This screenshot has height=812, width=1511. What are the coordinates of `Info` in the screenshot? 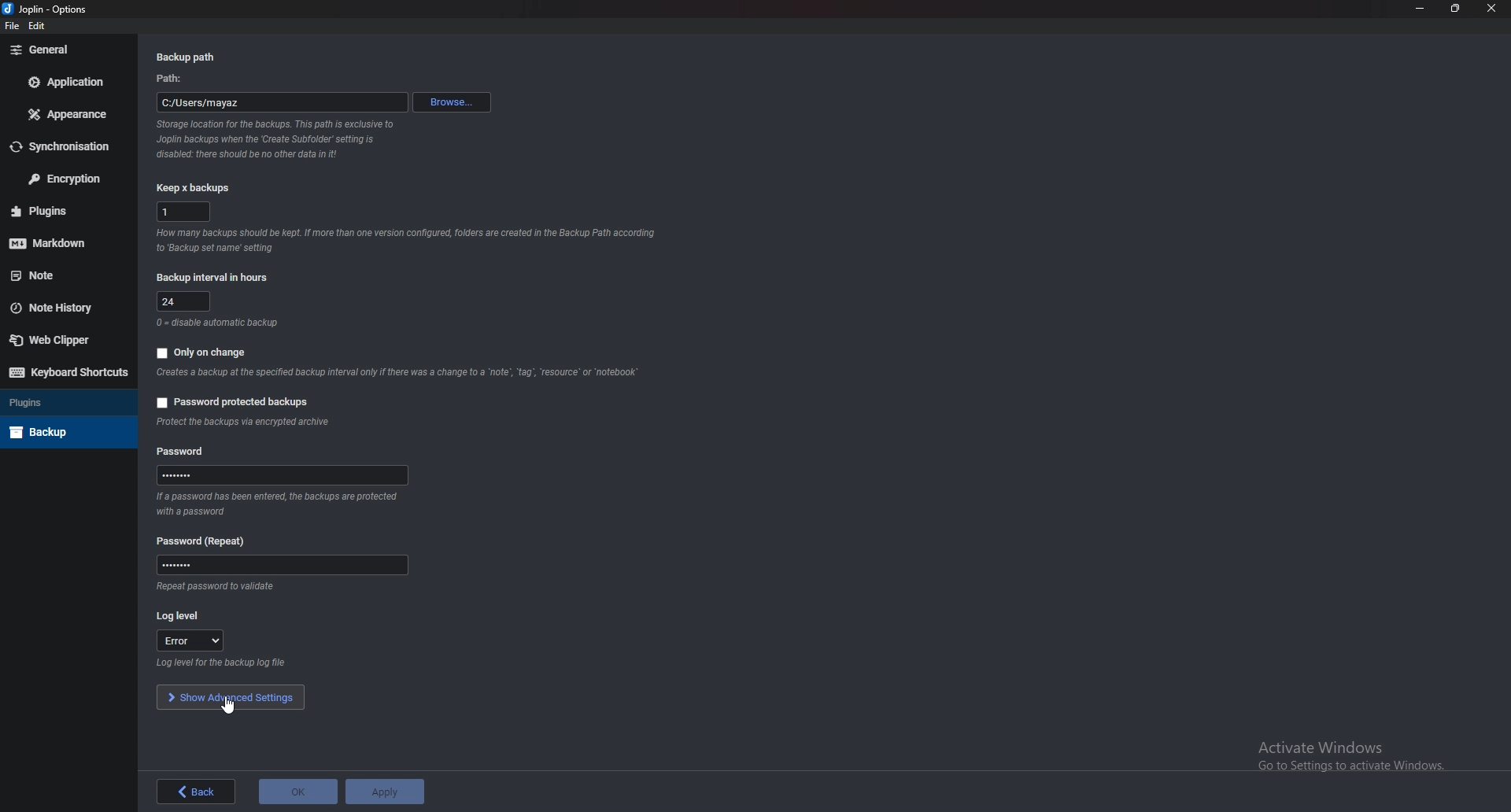 It's located at (395, 373).